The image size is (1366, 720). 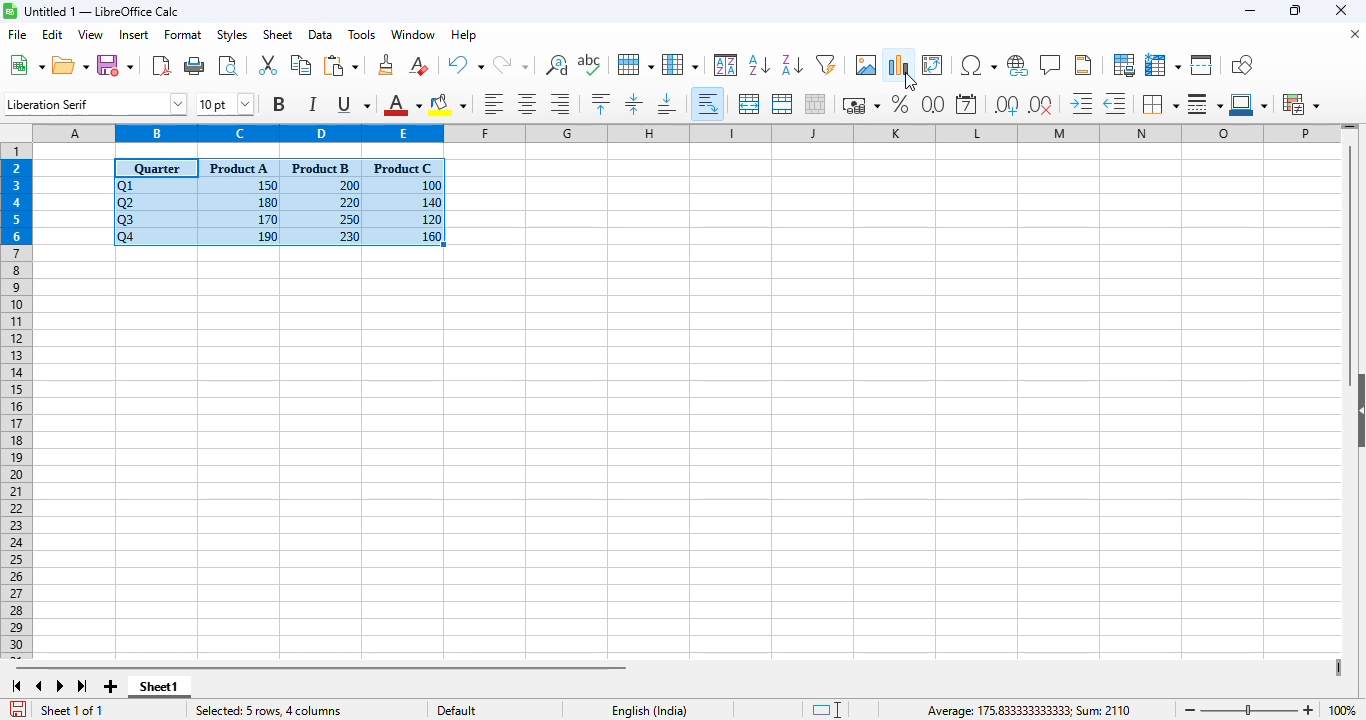 I want to click on export directly as PDF, so click(x=161, y=64).